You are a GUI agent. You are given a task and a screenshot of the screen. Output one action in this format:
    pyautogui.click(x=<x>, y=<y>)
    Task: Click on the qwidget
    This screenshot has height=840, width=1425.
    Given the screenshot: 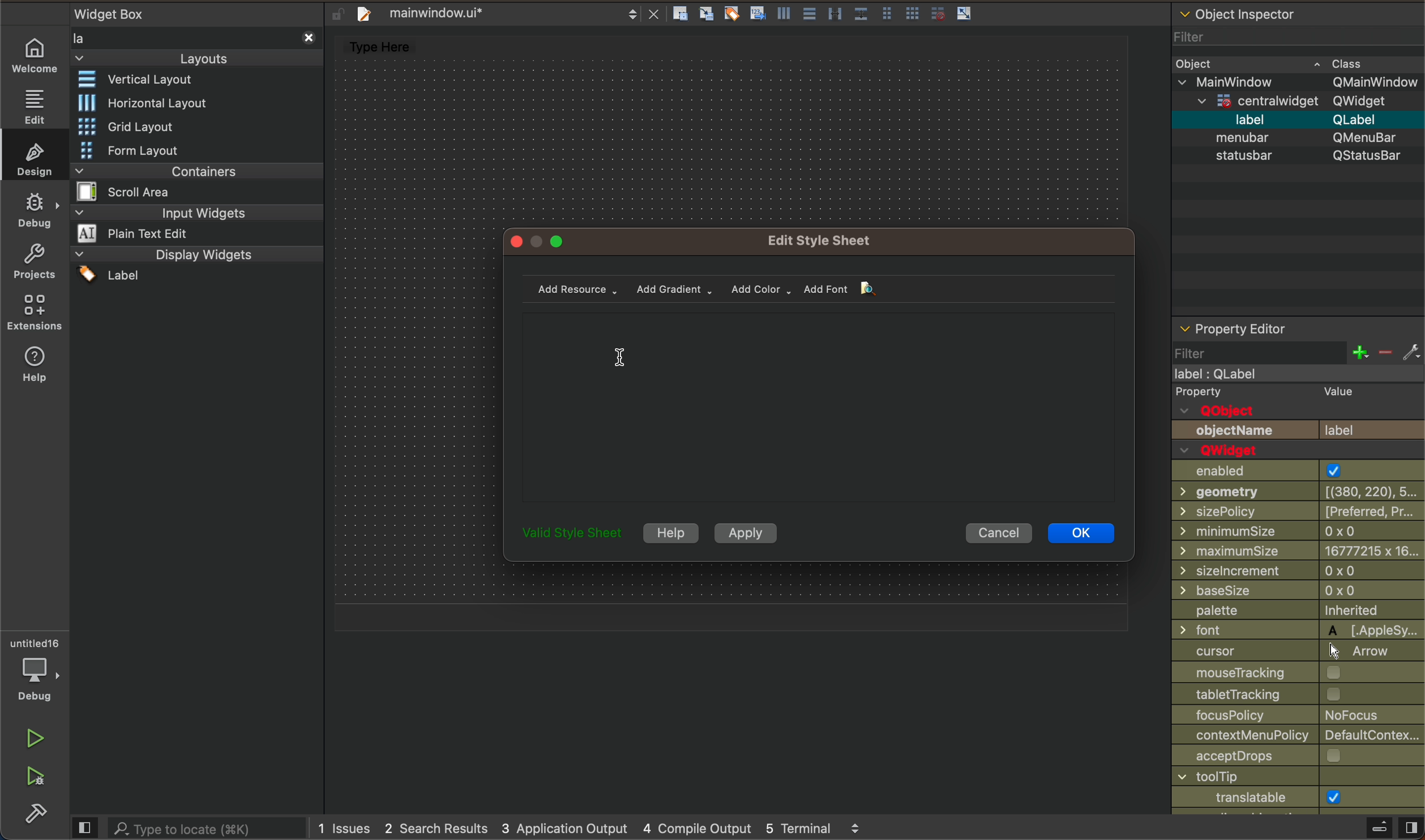 What is the action you would take?
    pyautogui.click(x=1230, y=451)
    